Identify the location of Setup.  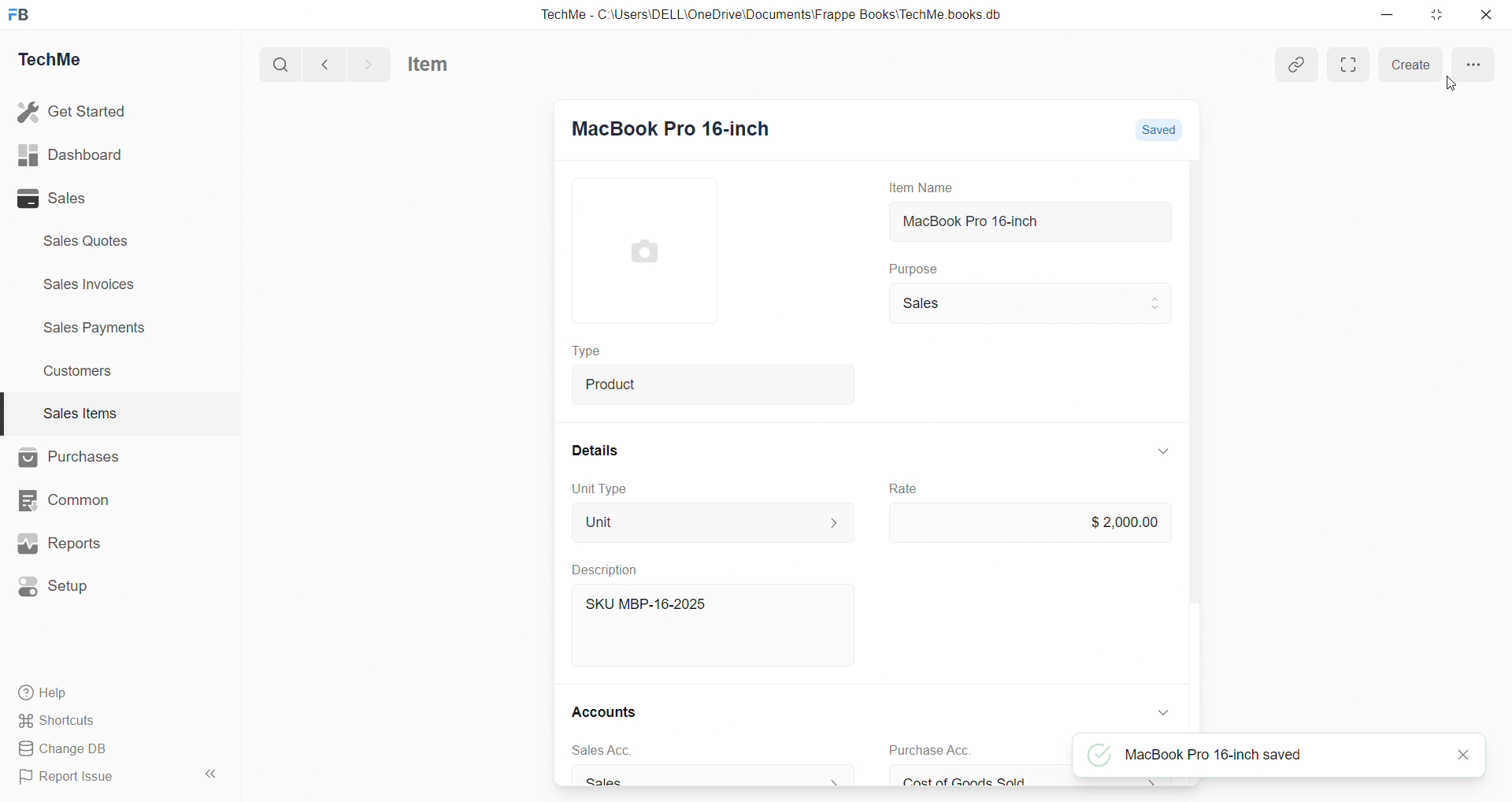
(59, 585).